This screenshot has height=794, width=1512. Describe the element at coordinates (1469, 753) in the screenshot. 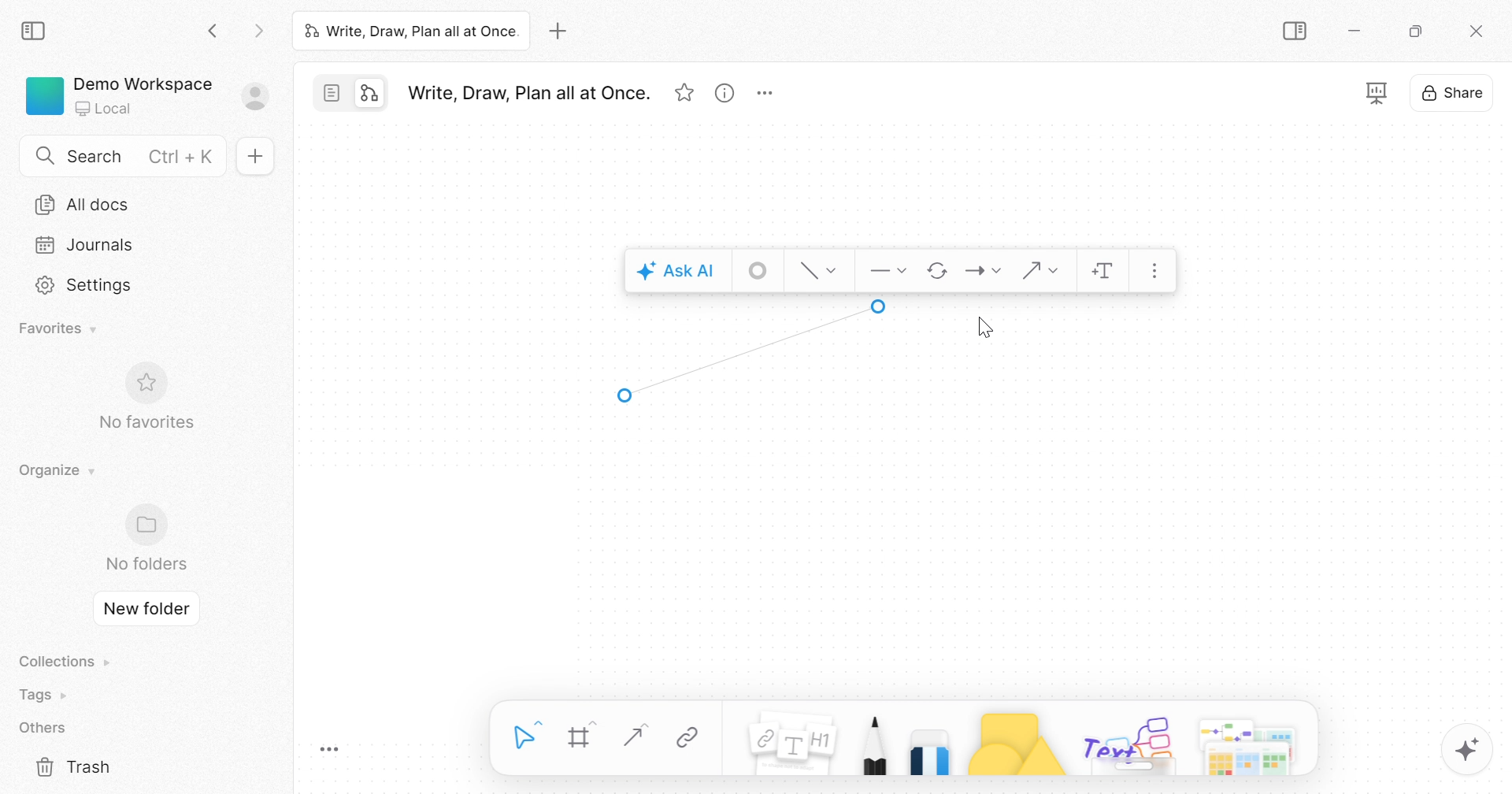

I see `AFFINE AI` at that location.